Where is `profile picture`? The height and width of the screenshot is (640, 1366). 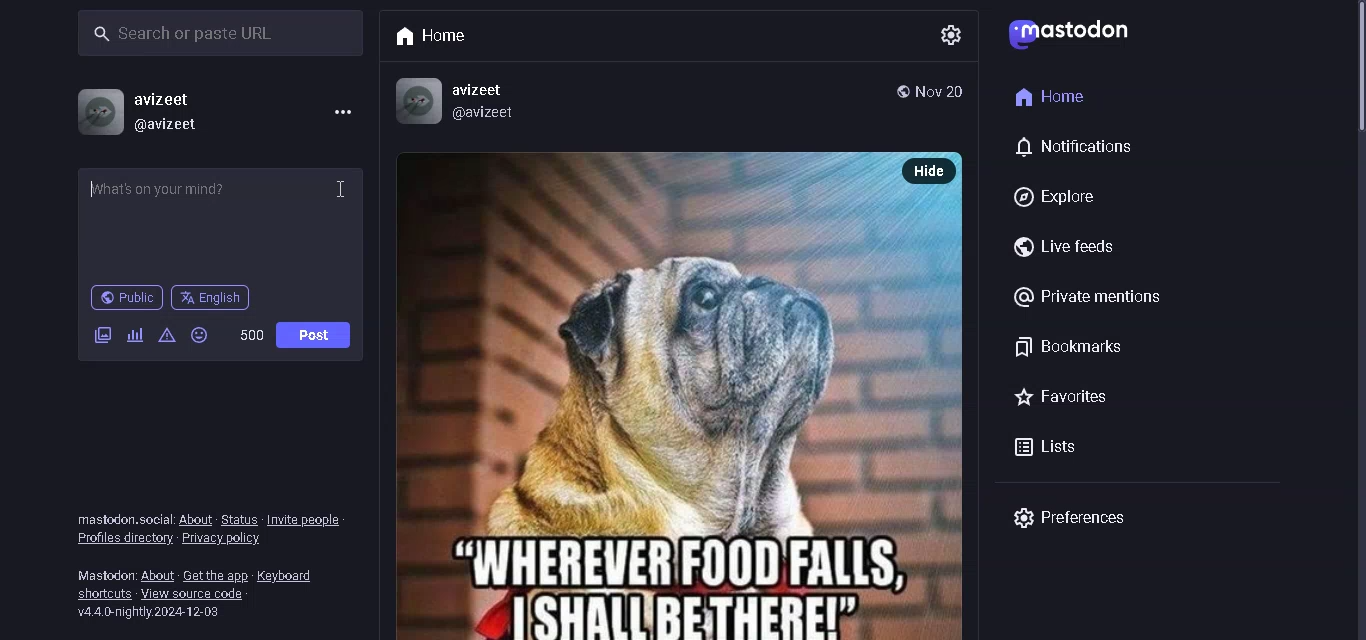
profile picture is located at coordinates (99, 110).